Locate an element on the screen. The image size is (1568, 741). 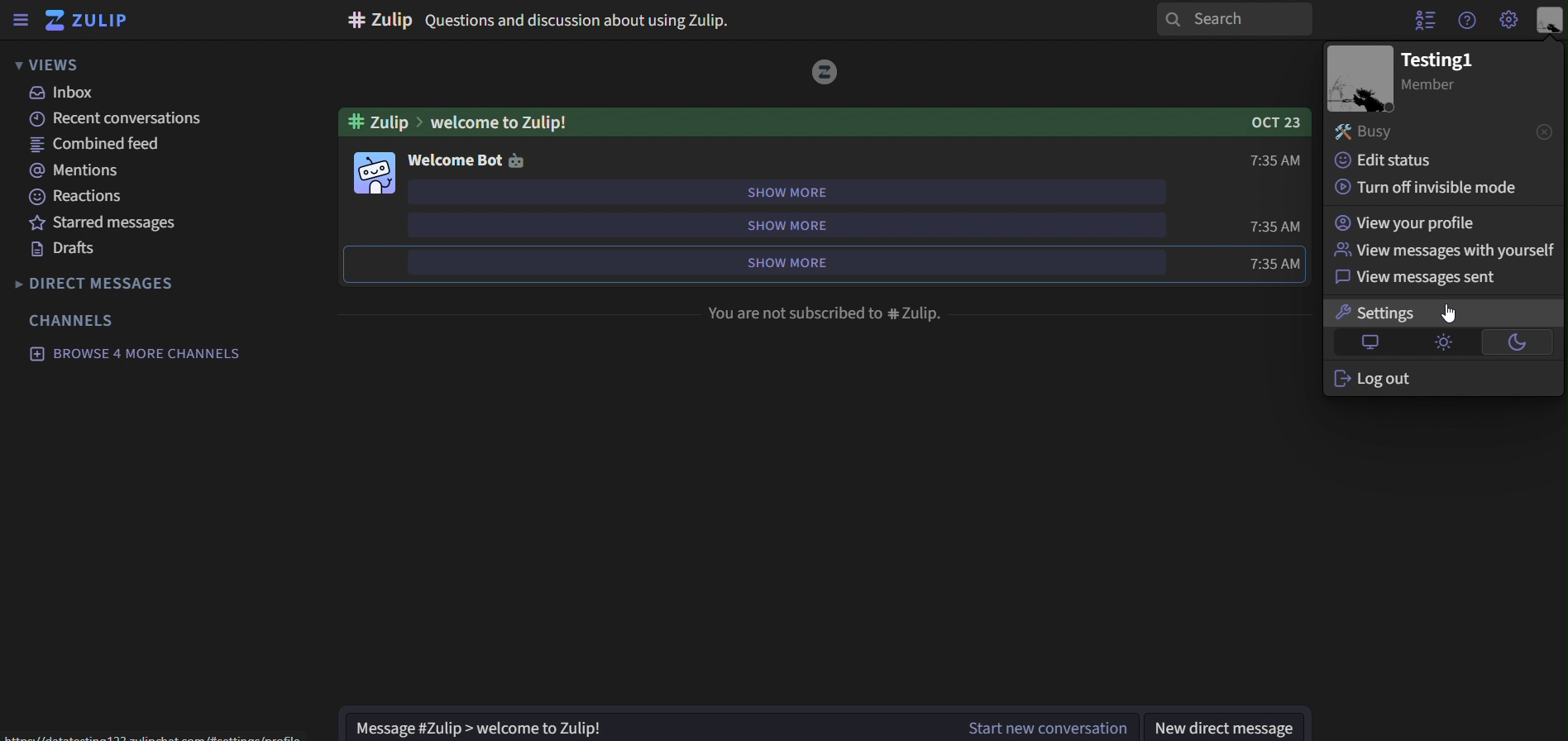
7:35am is located at coordinates (1279, 227).